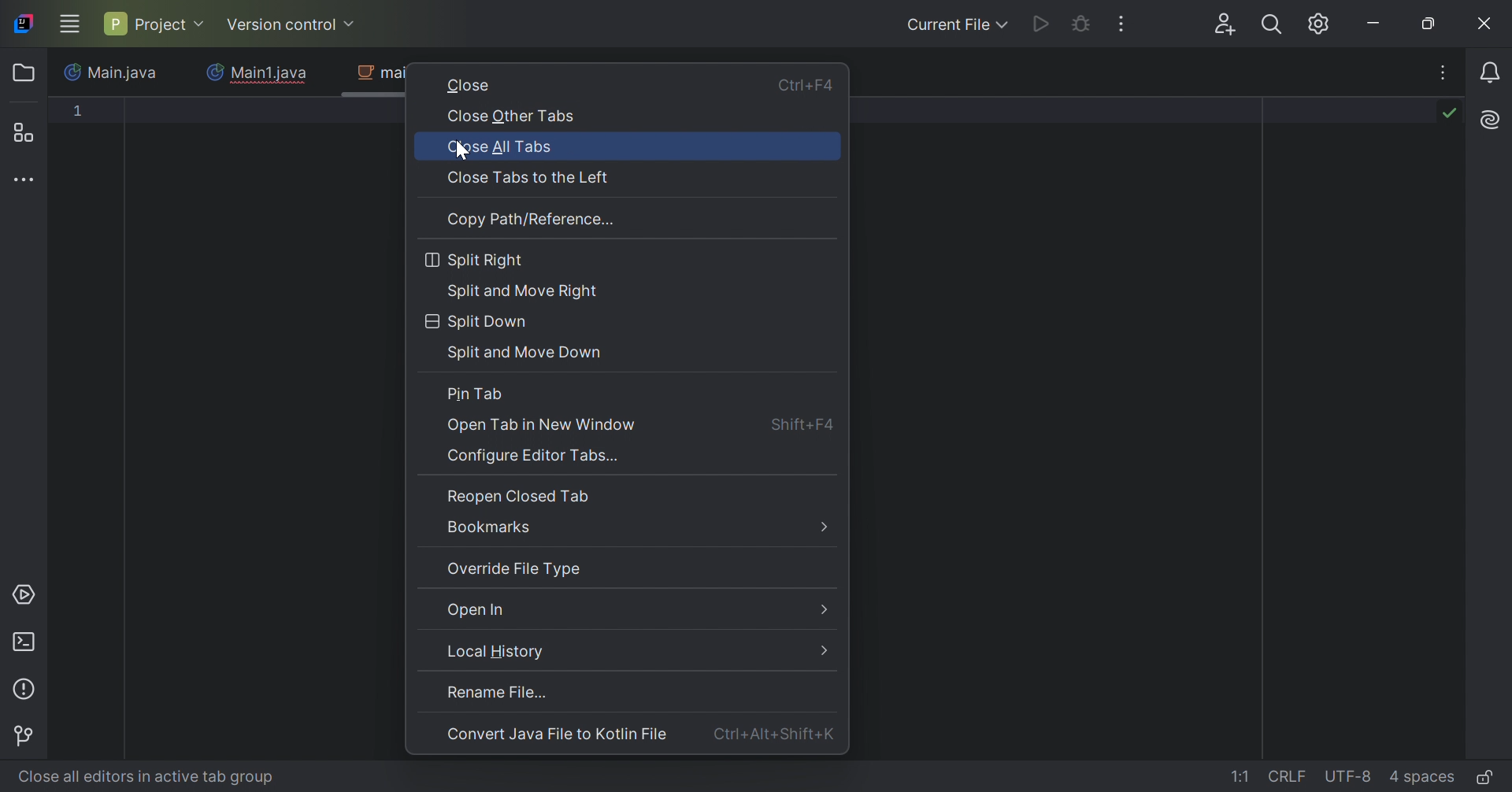 This screenshot has height=792, width=1512. Describe the element at coordinates (1274, 27) in the screenshot. I see `Search everywhere` at that location.